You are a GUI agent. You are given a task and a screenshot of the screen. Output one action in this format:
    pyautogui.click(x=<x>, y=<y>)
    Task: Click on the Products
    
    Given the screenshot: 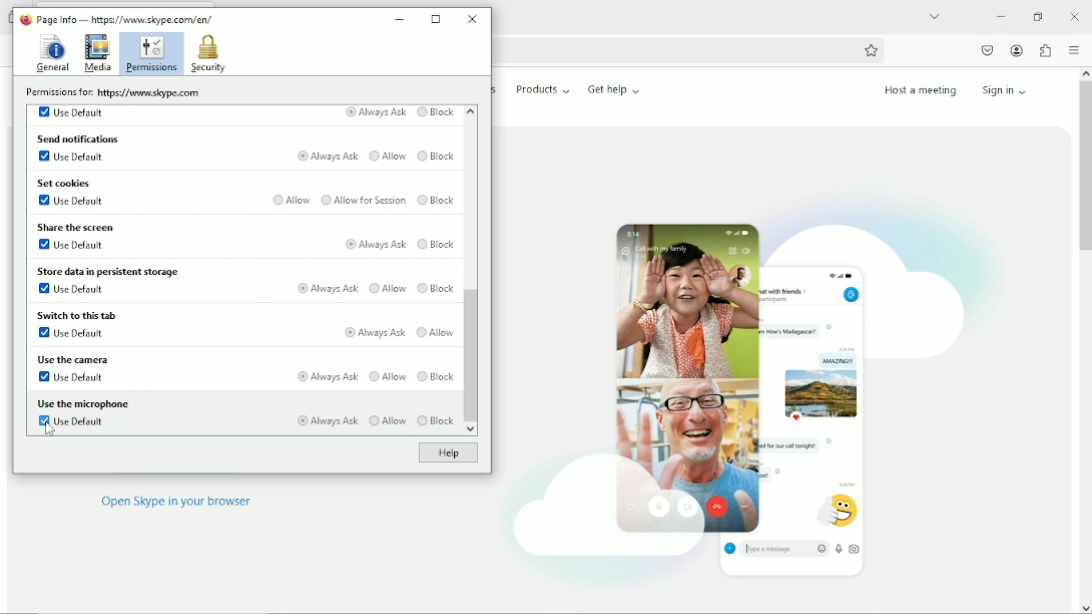 What is the action you would take?
    pyautogui.click(x=543, y=89)
    